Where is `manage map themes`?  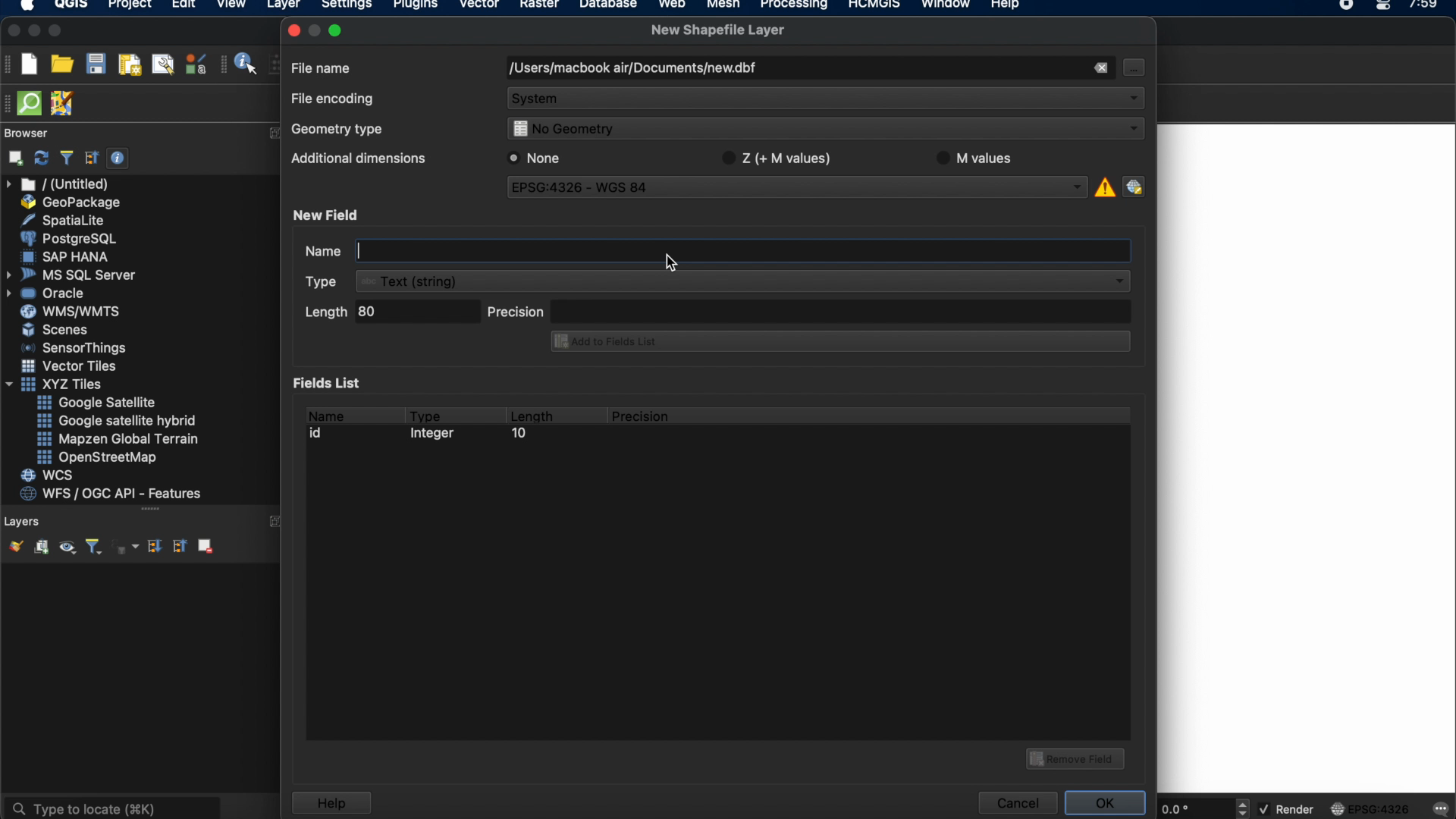 manage map themes is located at coordinates (66, 549).